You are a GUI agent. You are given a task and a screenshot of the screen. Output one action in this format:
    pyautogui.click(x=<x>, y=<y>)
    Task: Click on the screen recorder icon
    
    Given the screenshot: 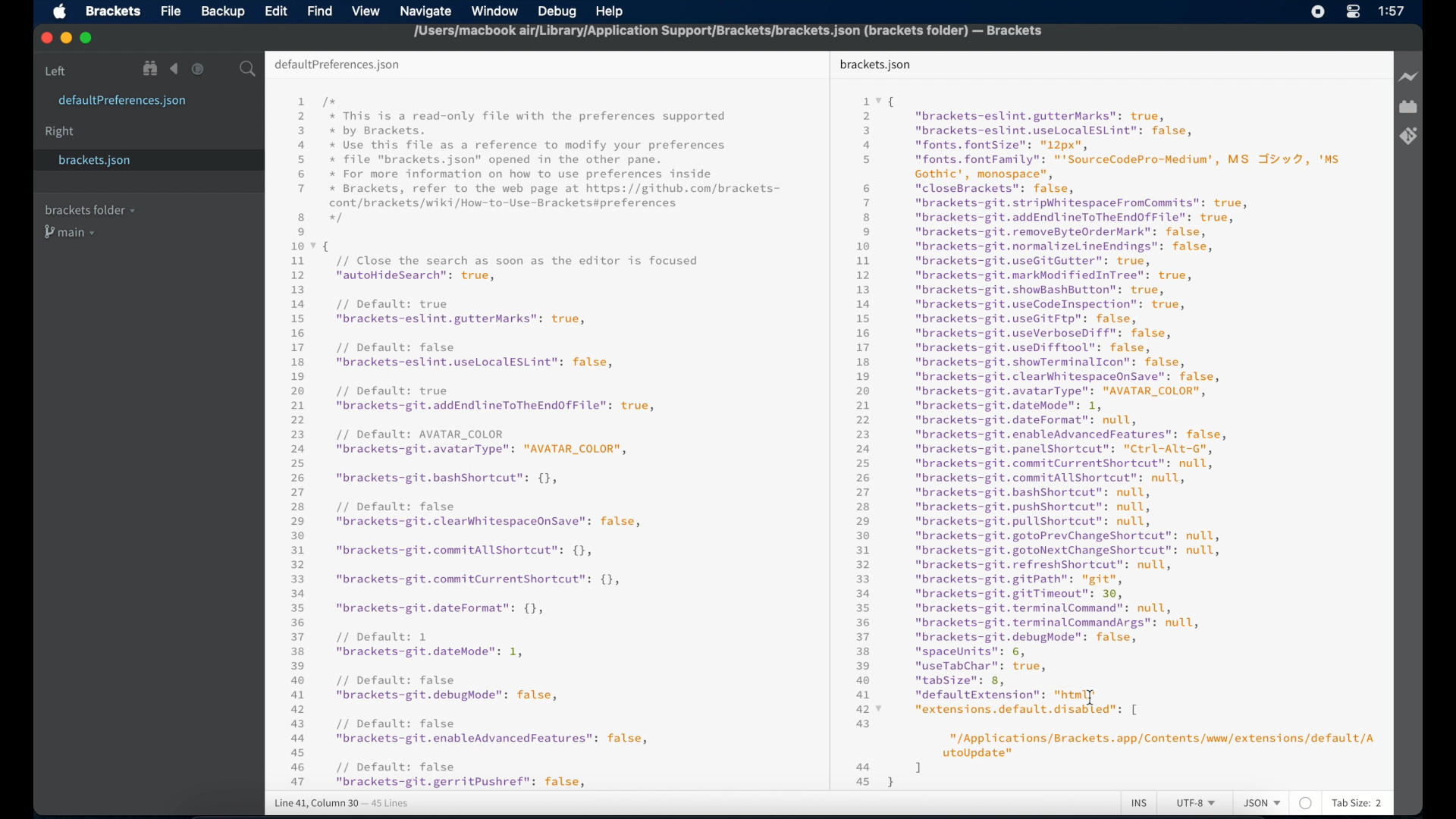 What is the action you would take?
    pyautogui.click(x=1319, y=11)
    